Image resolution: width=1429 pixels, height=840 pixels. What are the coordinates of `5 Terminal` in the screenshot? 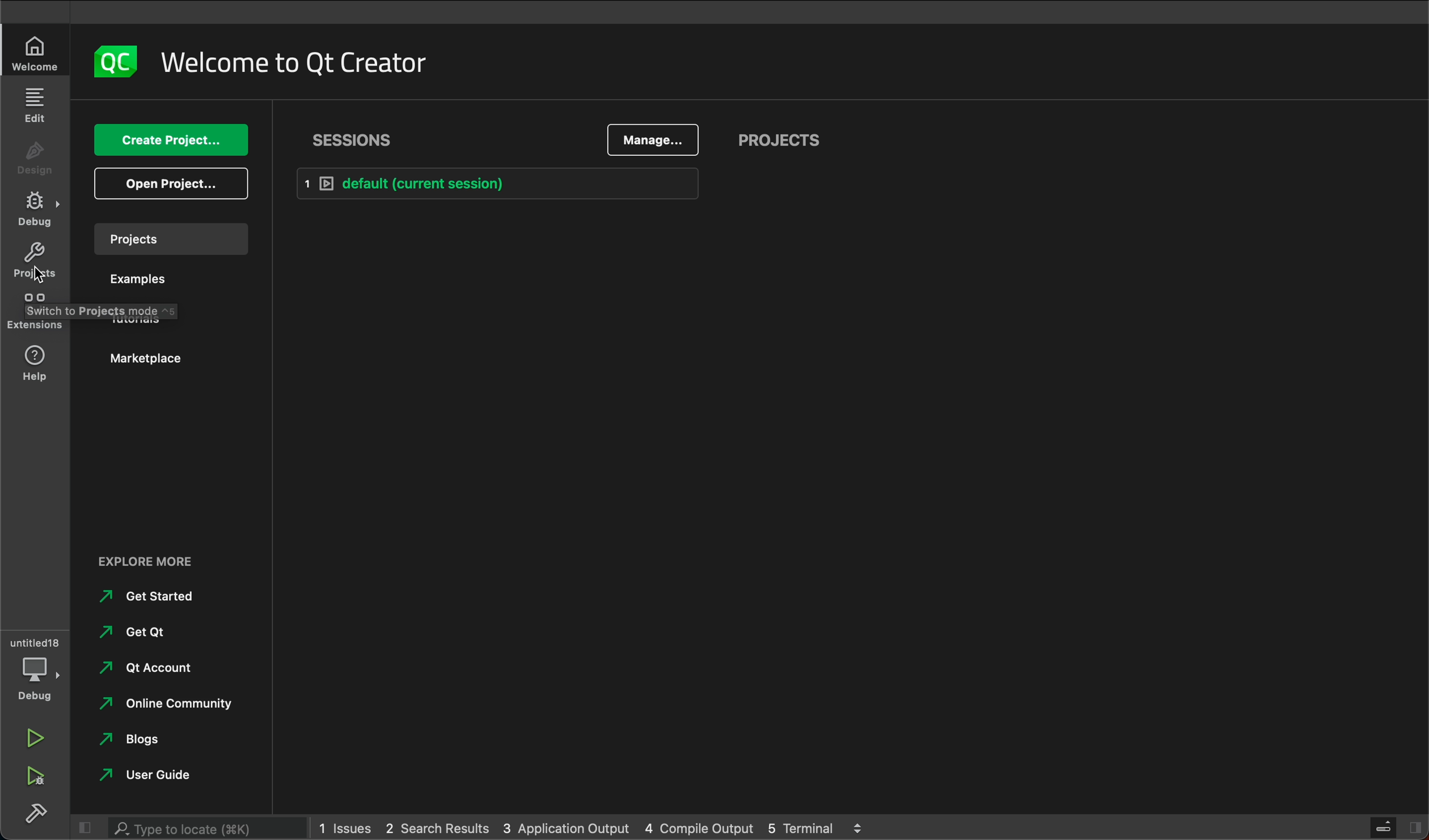 It's located at (802, 829).